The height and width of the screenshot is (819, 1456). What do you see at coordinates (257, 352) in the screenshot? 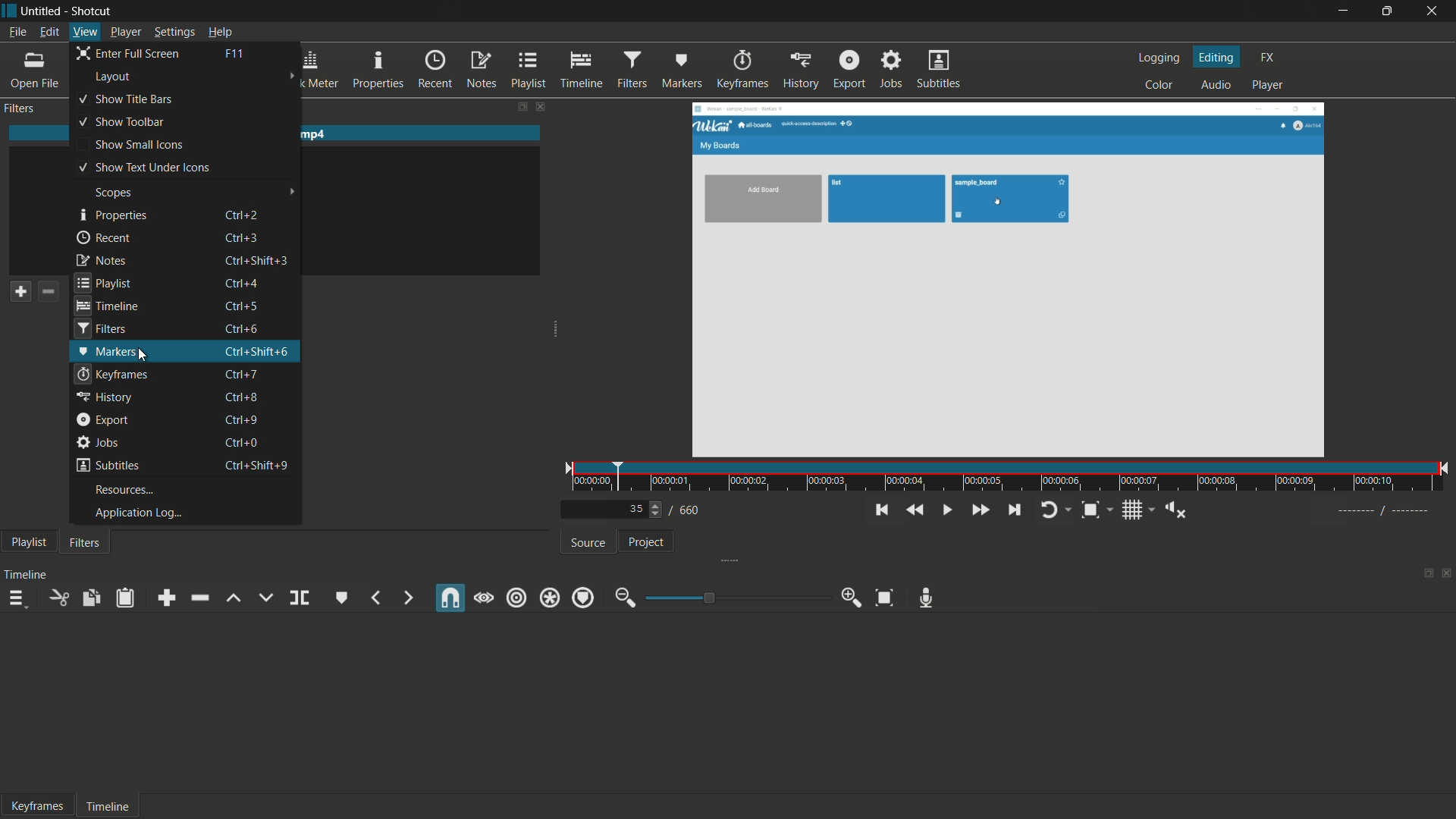
I see `keyboard shortcut` at bounding box center [257, 352].